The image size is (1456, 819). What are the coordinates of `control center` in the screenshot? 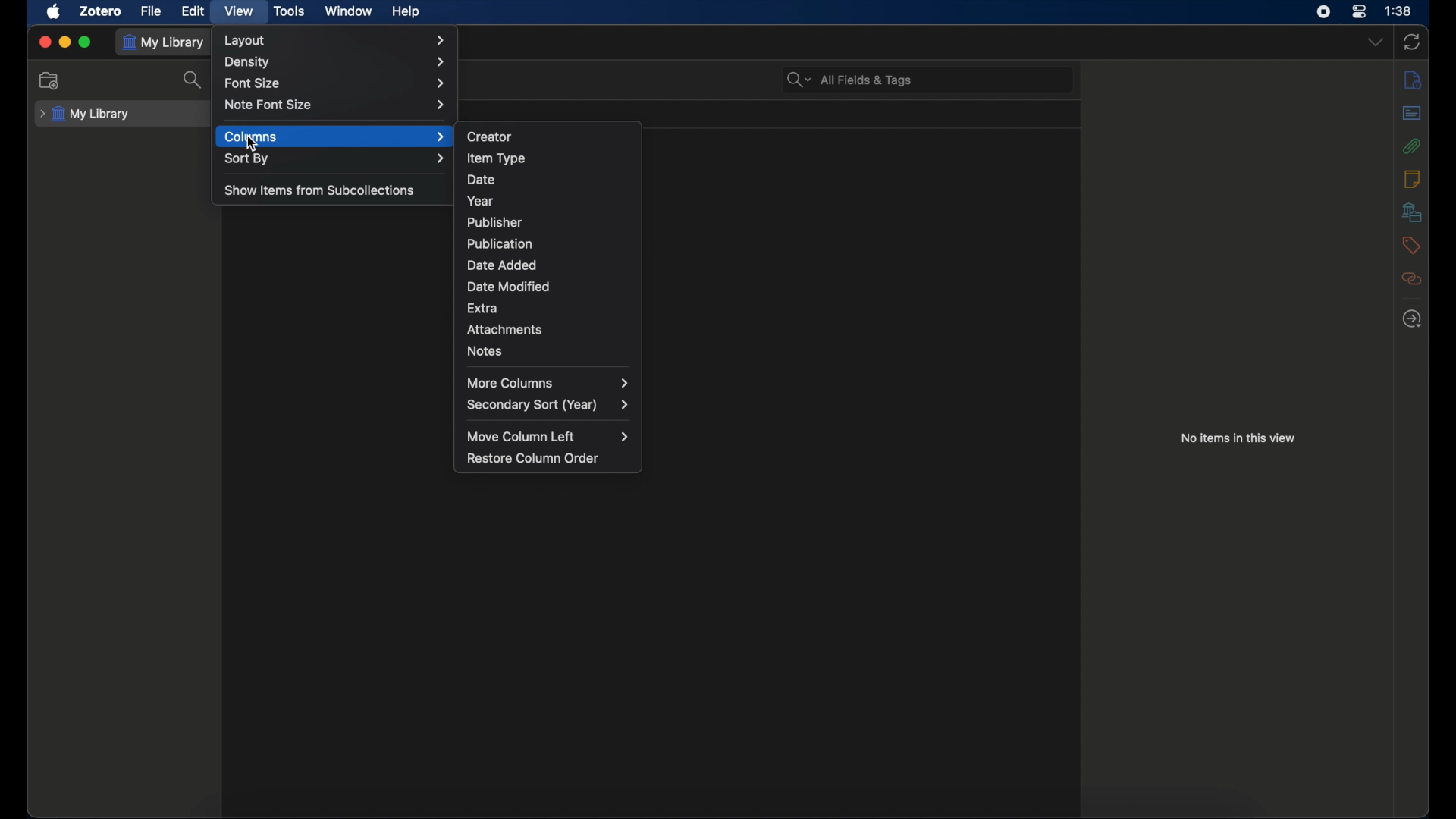 It's located at (1360, 12).